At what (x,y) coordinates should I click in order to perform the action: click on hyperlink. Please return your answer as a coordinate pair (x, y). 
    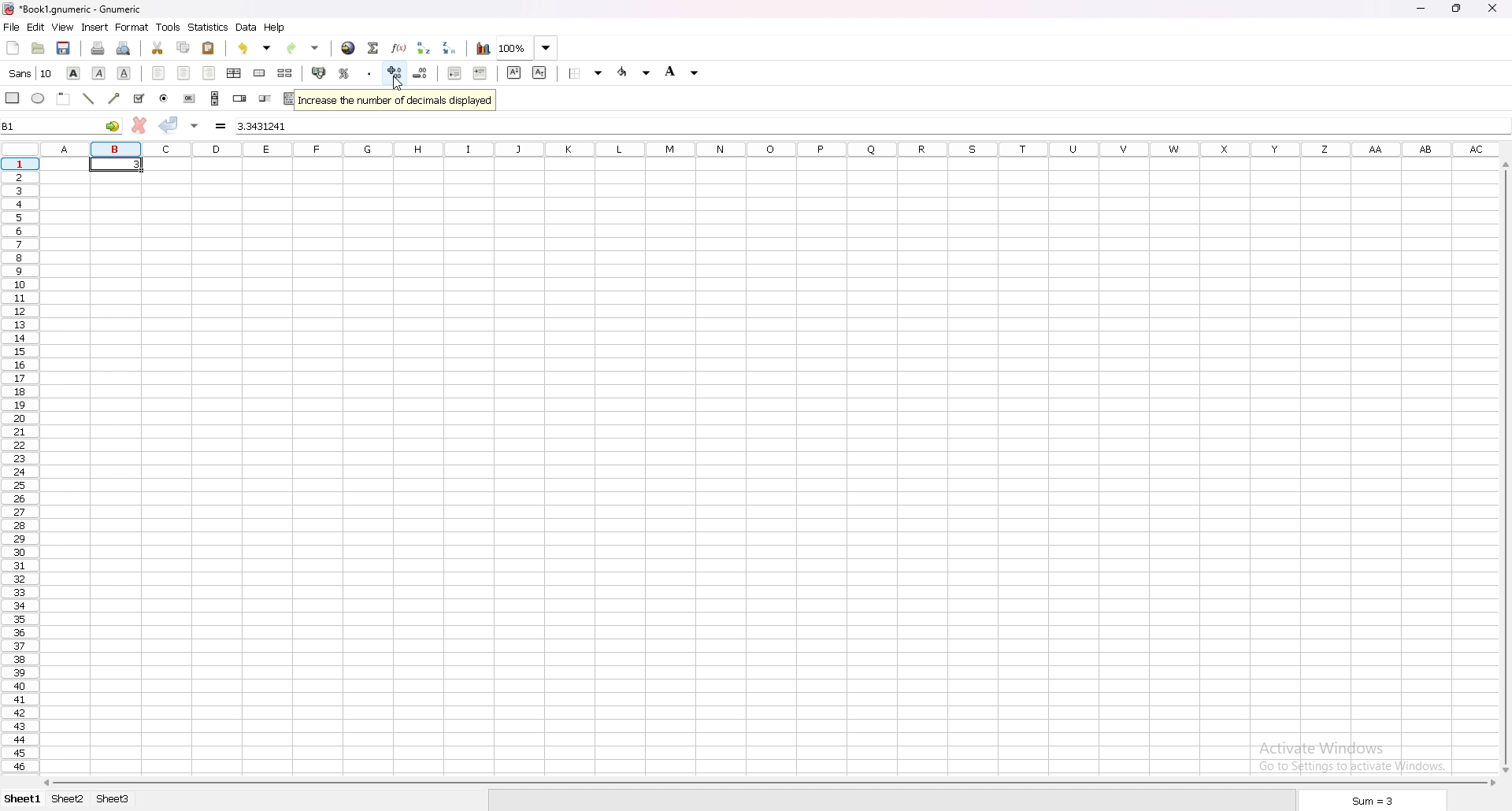
    Looking at the image, I should click on (349, 49).